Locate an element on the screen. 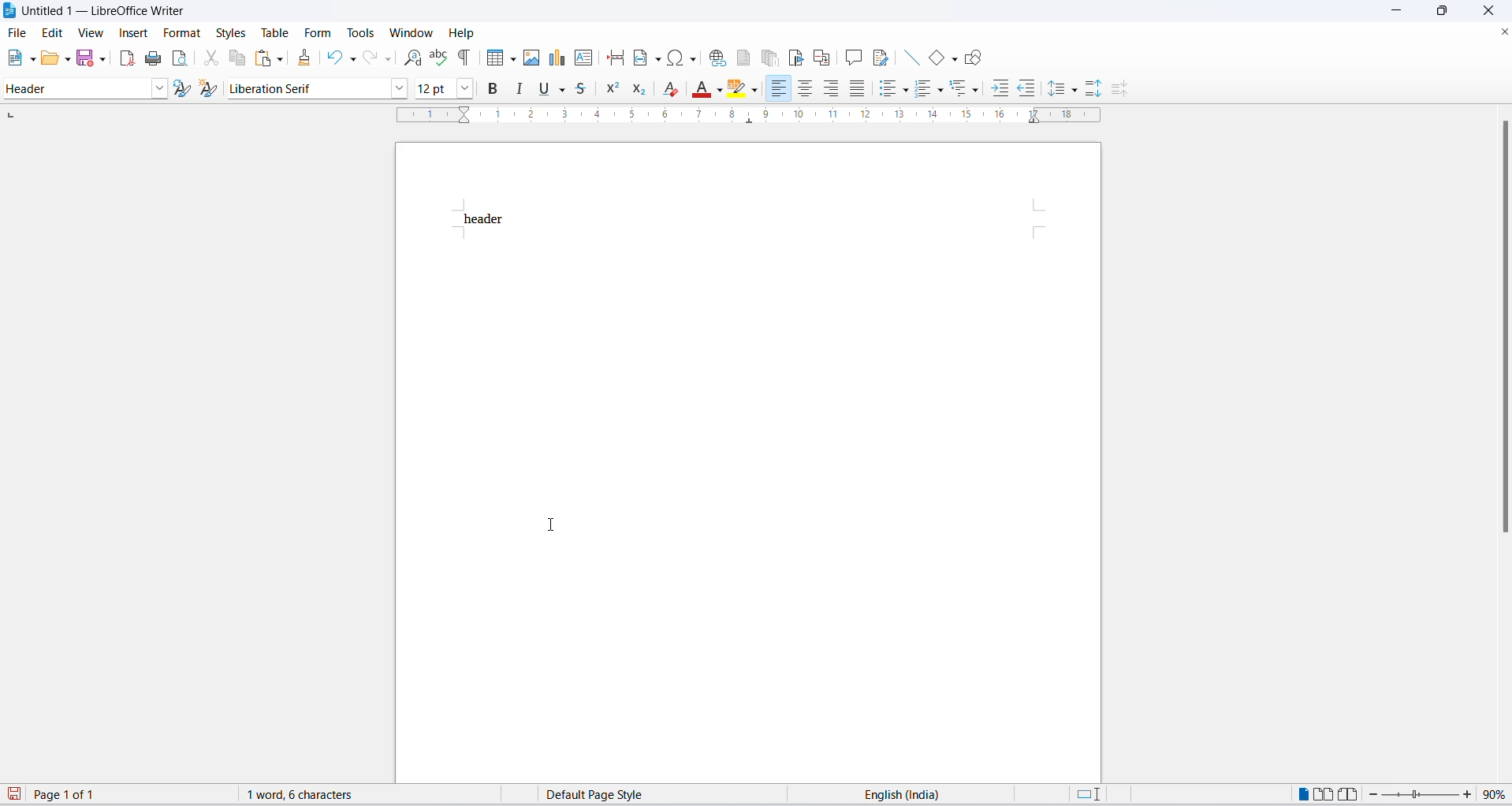 The image size is (1512, 806). save is located at coordinates (86, 58).